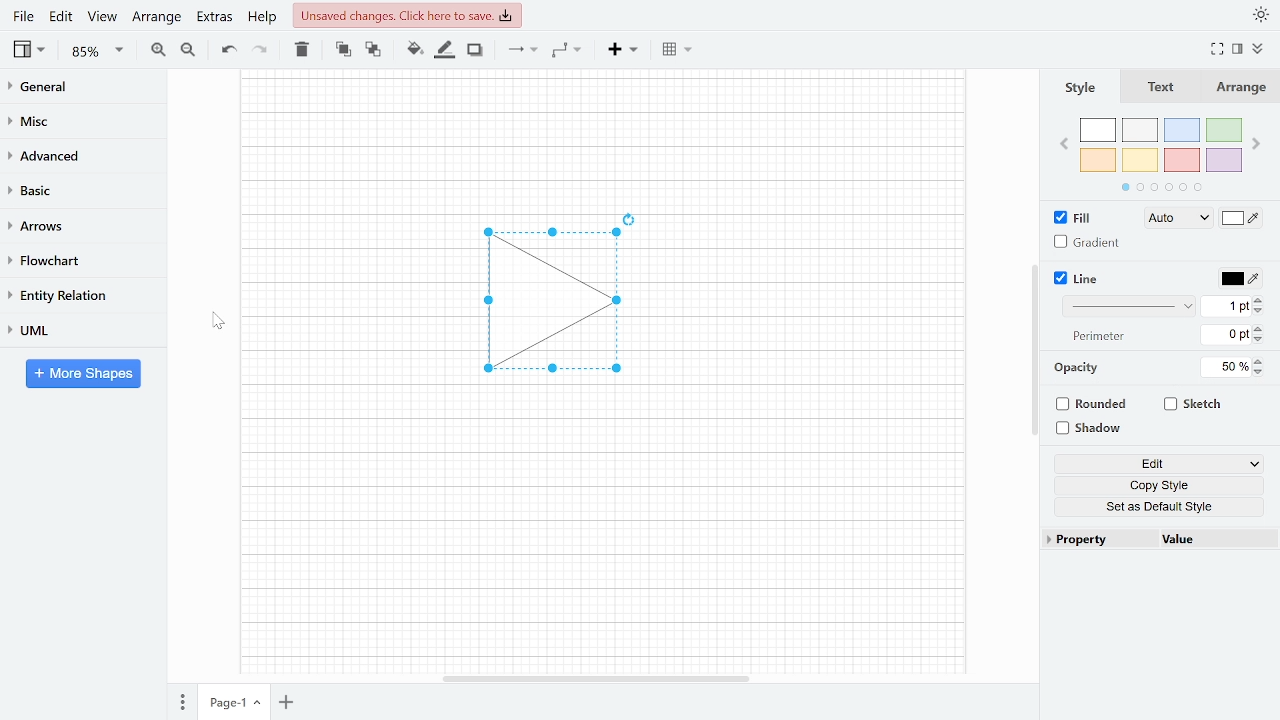  Describe the element at coordinates (1088, 242) in the screenshot. I see `Gradient` at that location.